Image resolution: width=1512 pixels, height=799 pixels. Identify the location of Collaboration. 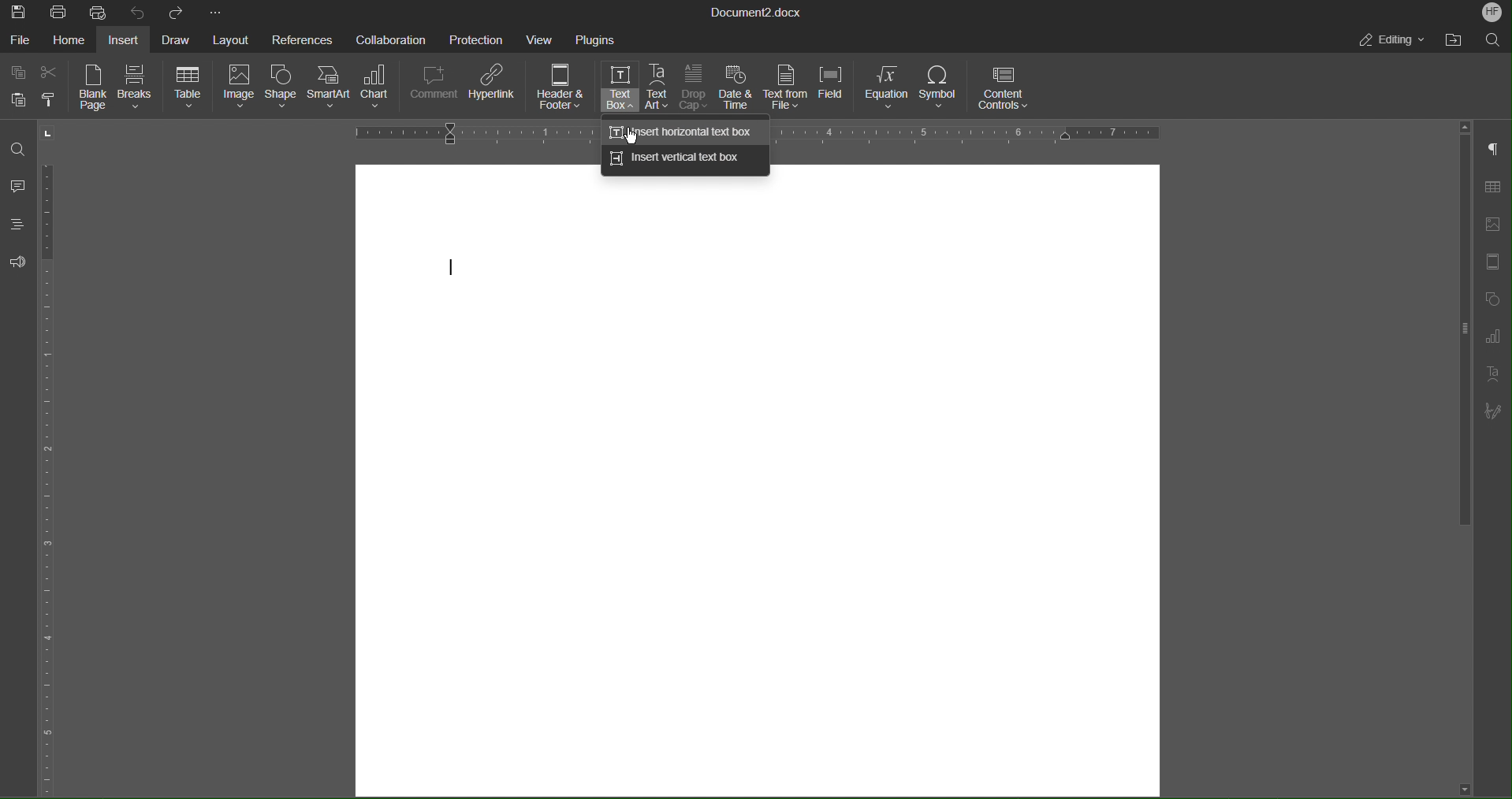
(389, 38).